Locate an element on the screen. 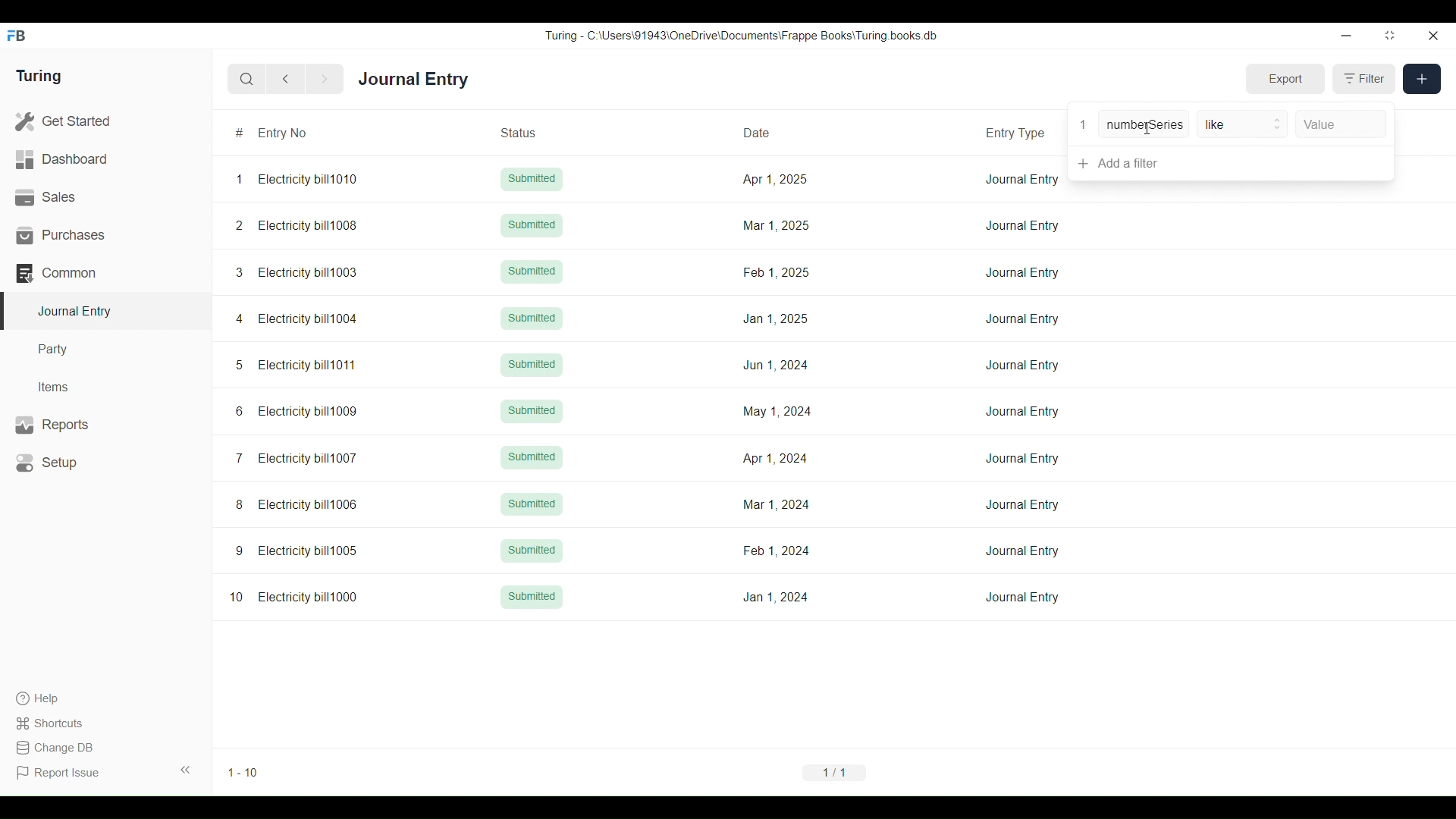 The image size is (1456, 819). Feb 1,2024 is located at coordinates (776, 551).